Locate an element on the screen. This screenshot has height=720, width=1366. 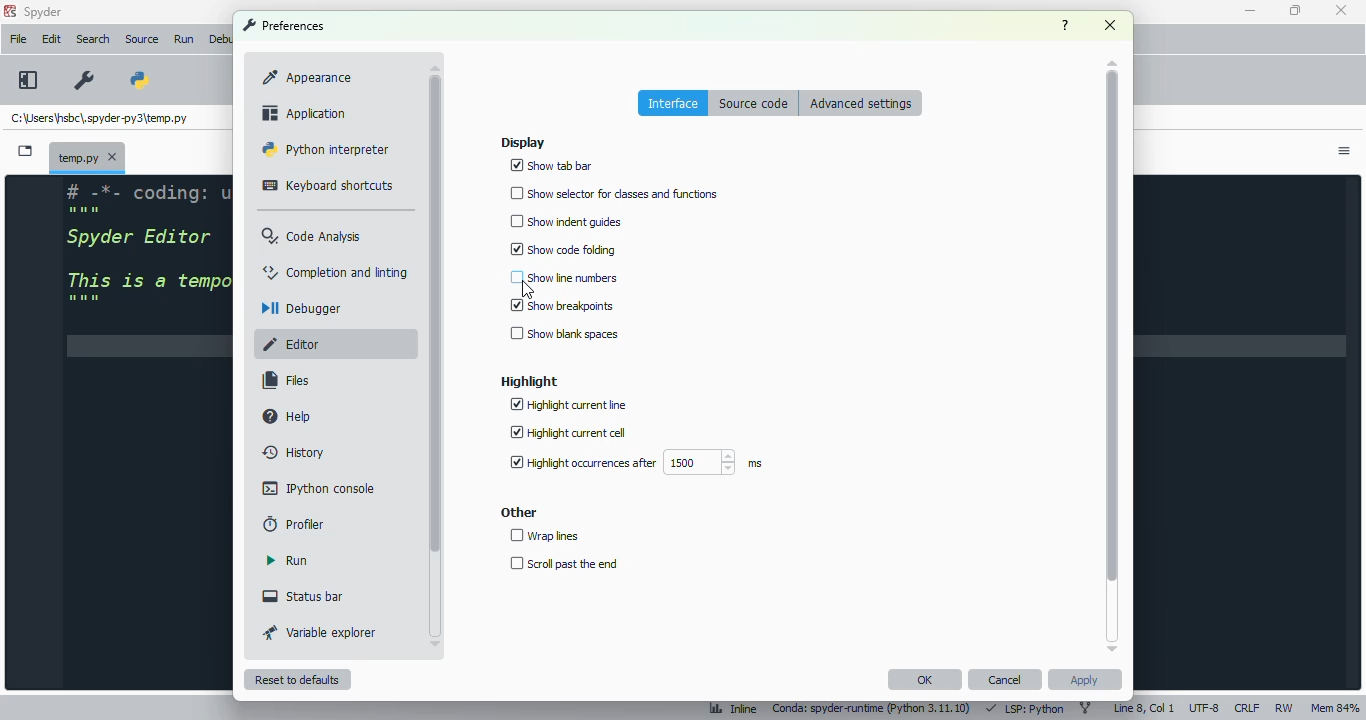
highlight occurrences after 1500 ms is located at coordinates (633, 463).